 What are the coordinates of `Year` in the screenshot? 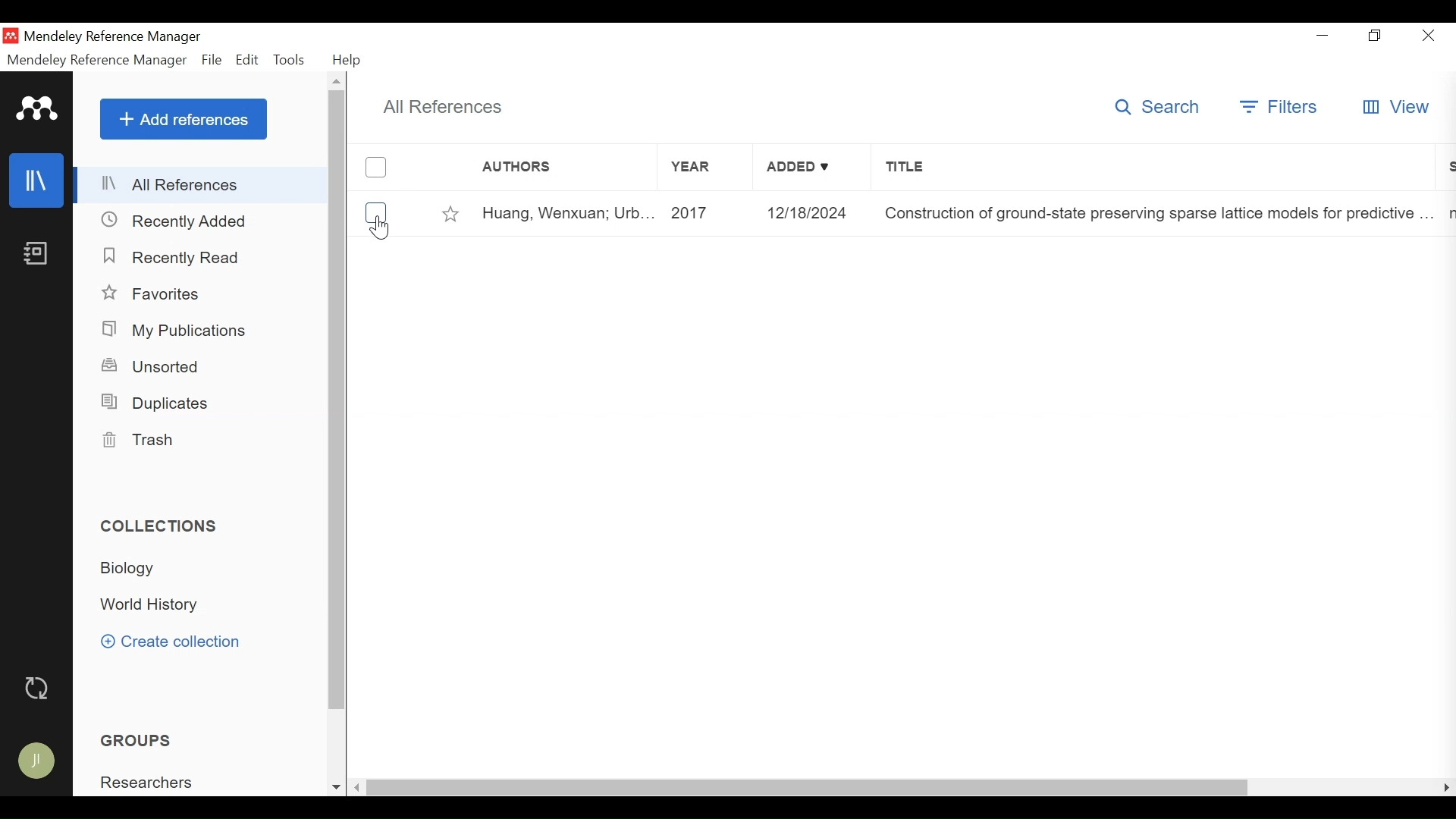 It's located at (709, 214).